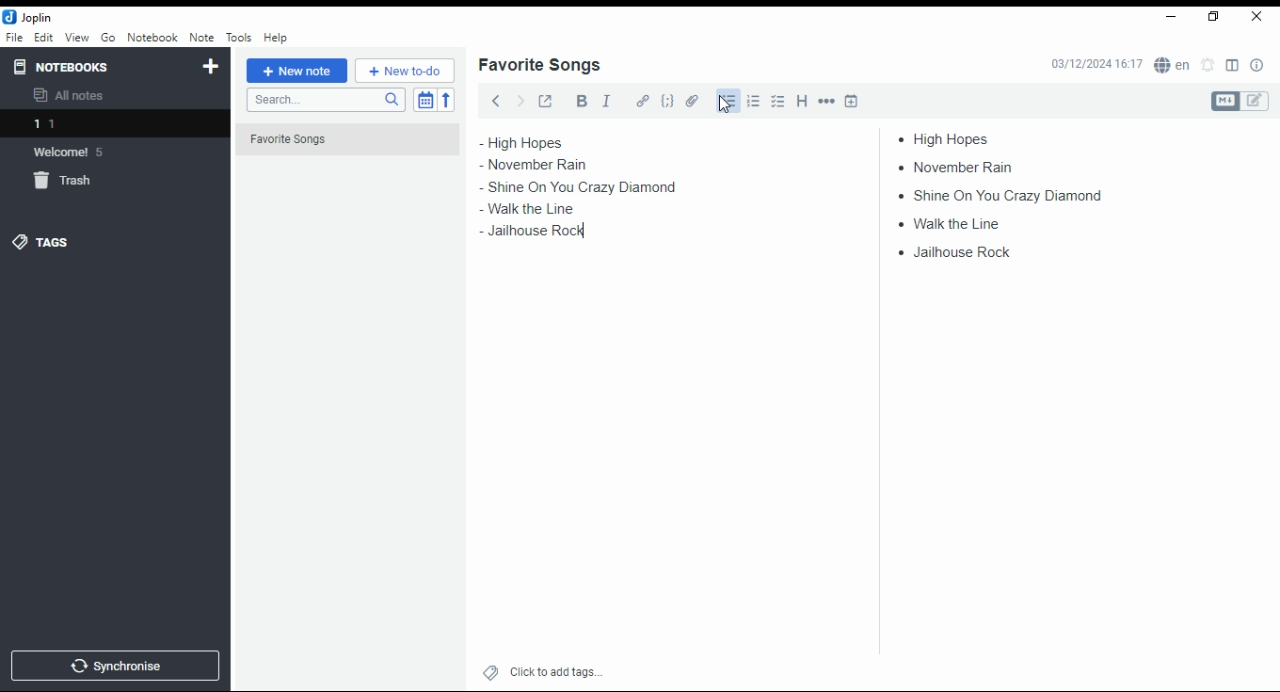  I want to click on tools, so click(240, 38).